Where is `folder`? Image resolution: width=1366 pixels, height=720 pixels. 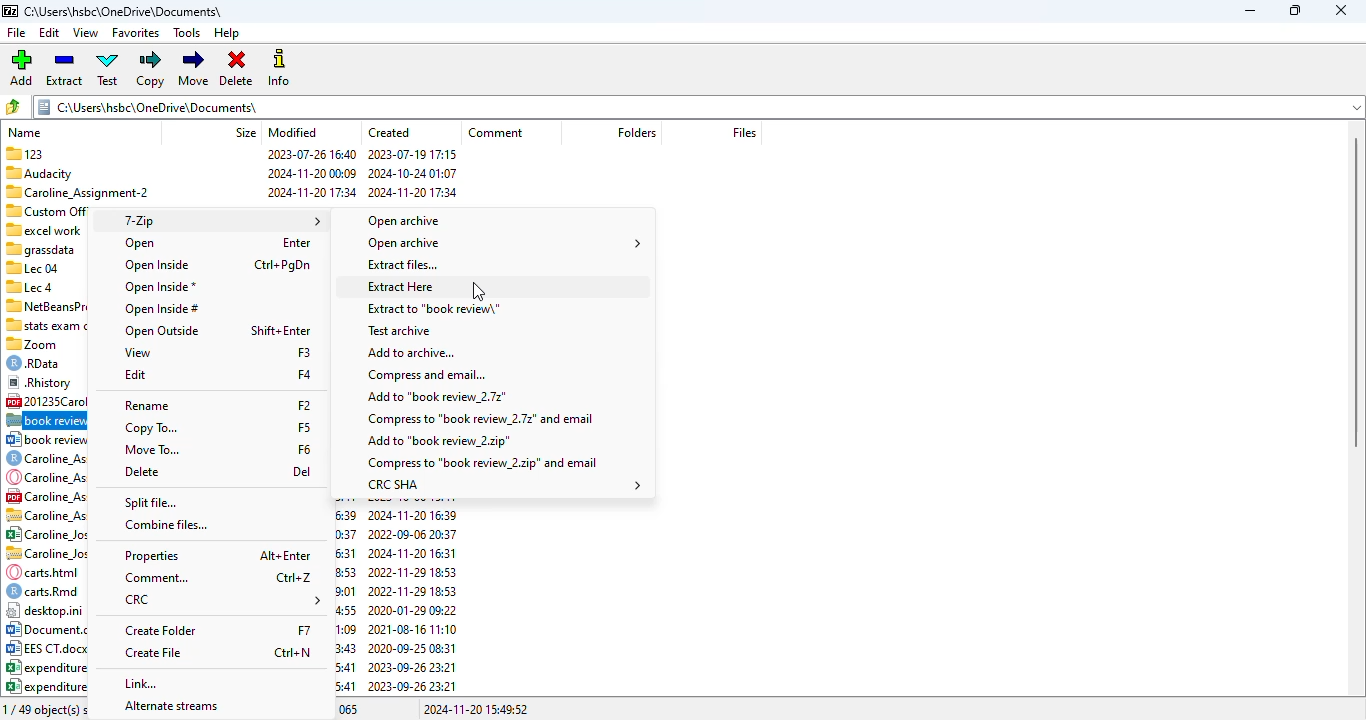
folder is located at coordinates (635, 132).